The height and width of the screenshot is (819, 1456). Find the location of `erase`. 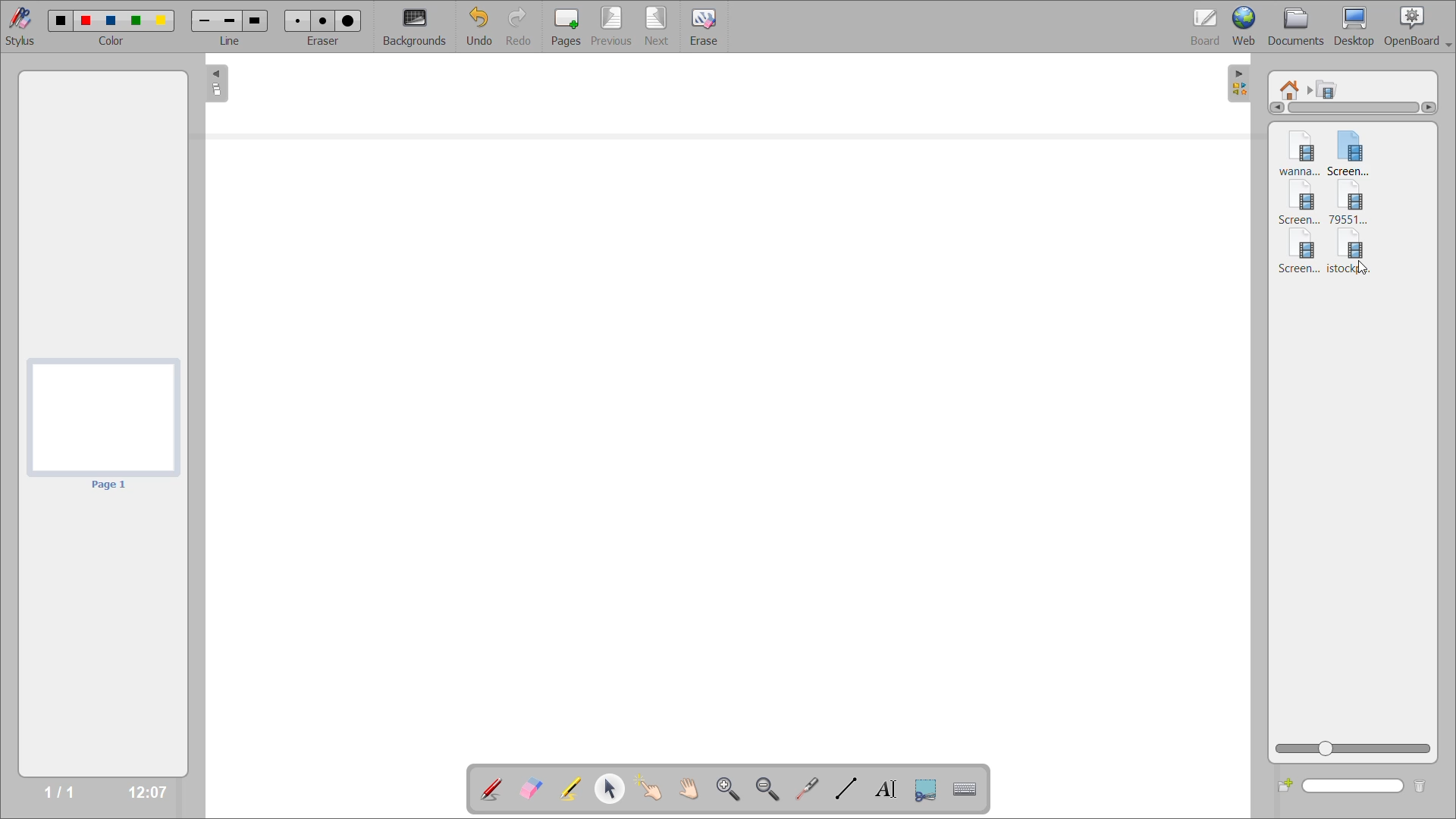

erase is located at coordinates (705, 28).